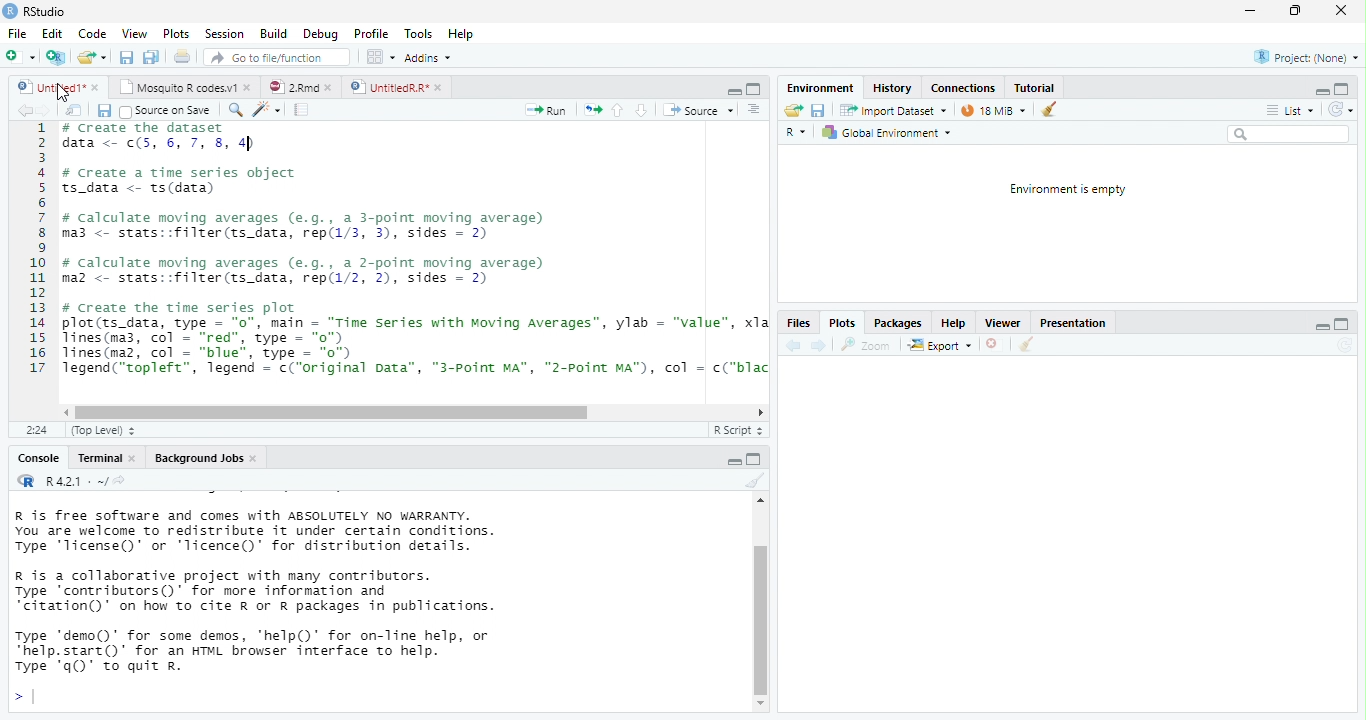 Image resolution: width=1366 pixels, height=720 pixels. Describe the element at coordinates (898, 323) in the screenshot. I see `Packages` at that location.